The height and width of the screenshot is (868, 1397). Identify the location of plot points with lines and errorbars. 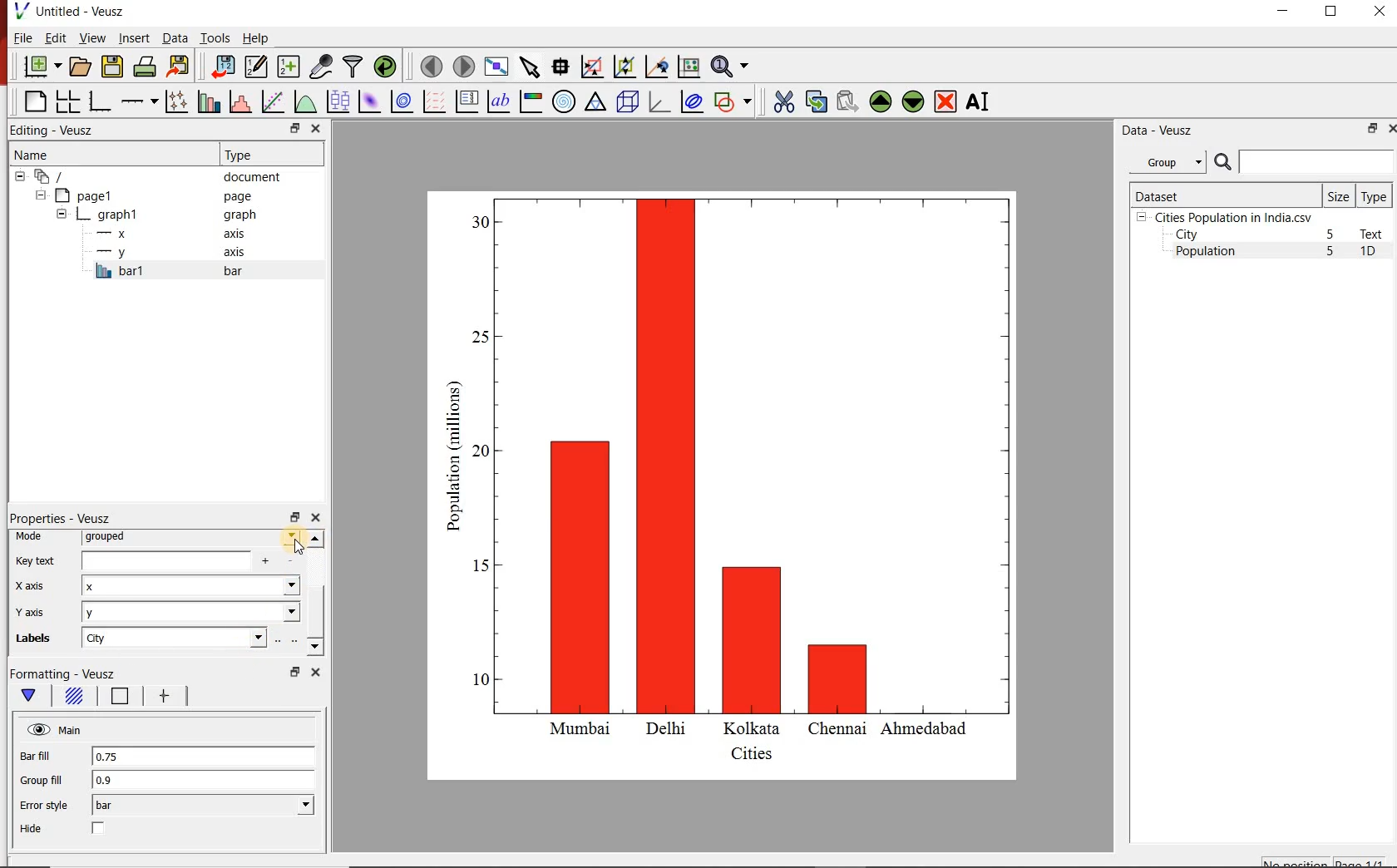
(174, 101).